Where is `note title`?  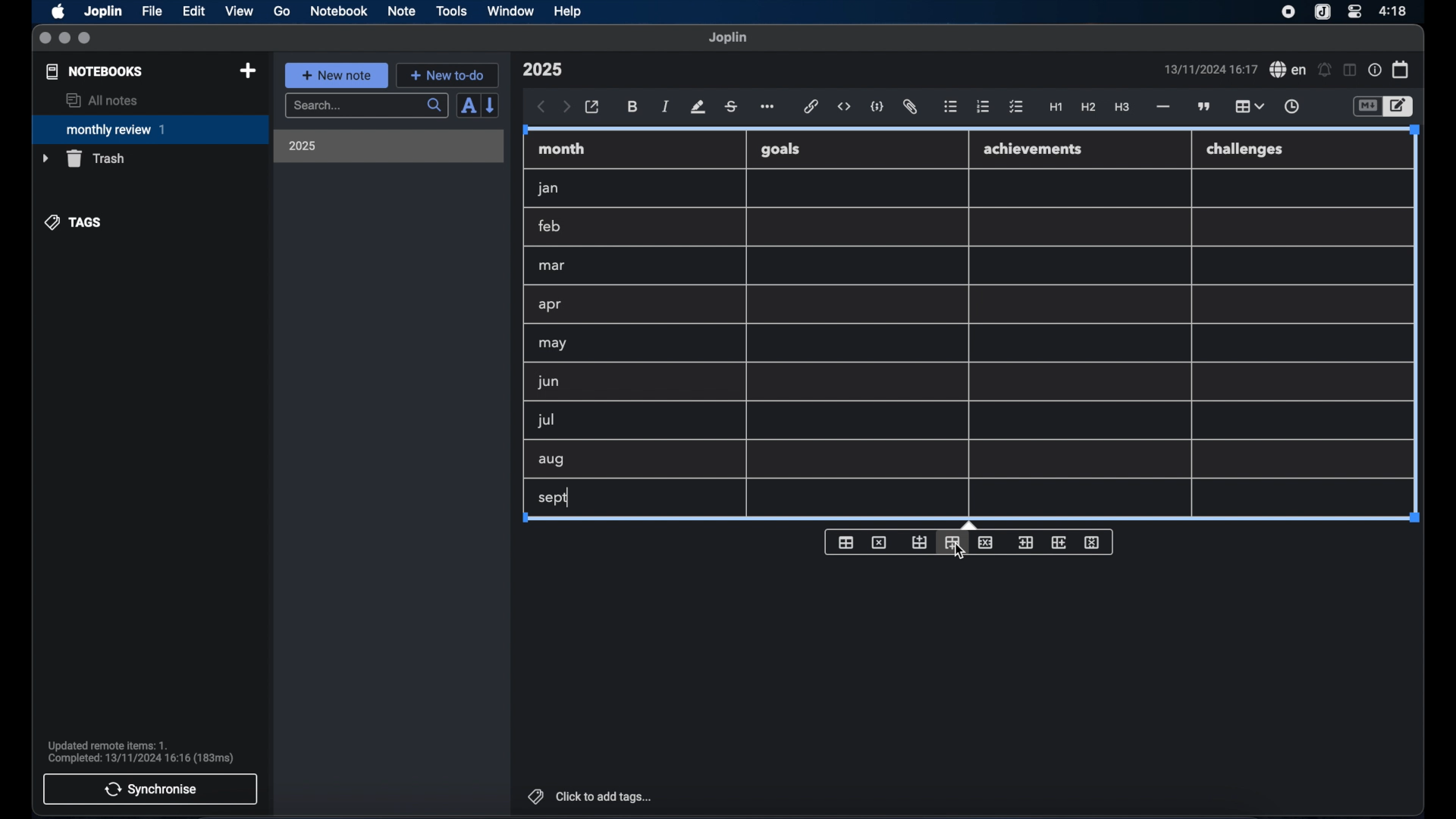 note title is located at coordinates (542, 70).